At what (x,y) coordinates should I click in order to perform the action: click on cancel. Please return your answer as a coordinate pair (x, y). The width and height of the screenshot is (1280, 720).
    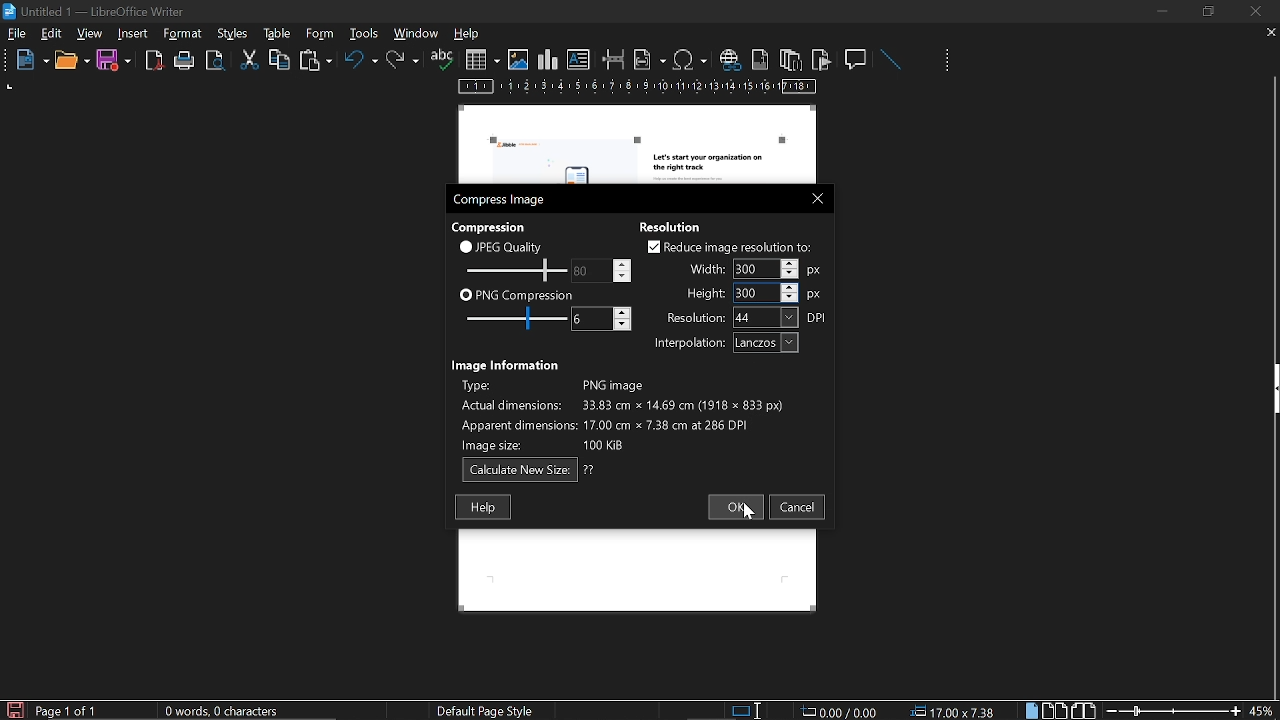
    Looking at the image, I should click on (798, 507).